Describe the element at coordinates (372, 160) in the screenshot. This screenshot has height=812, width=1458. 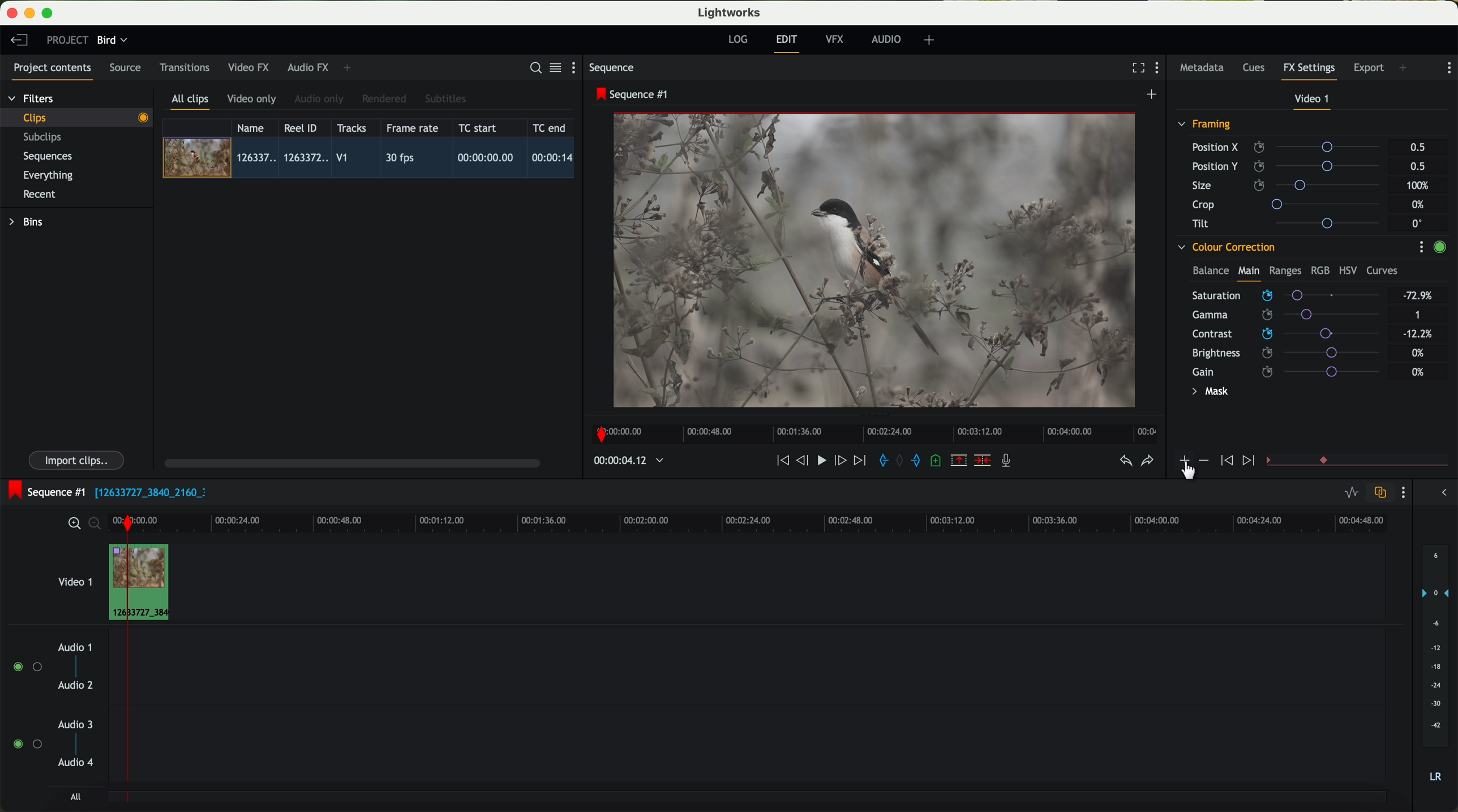
I see `click on video` at that location.